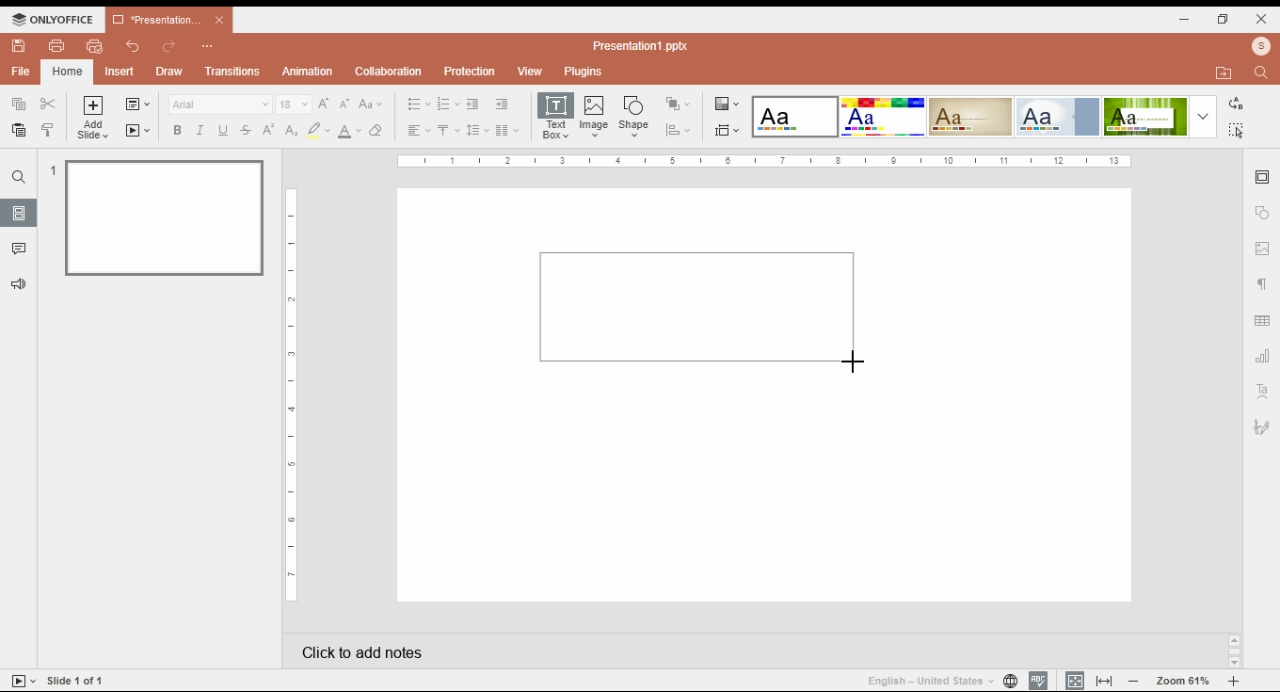 The width and height of the screenshot is (1280, 692). What do you see at coordinates (246, 131) in the screenshot?
I see `strikethrough` at bounding box center [246, 131].